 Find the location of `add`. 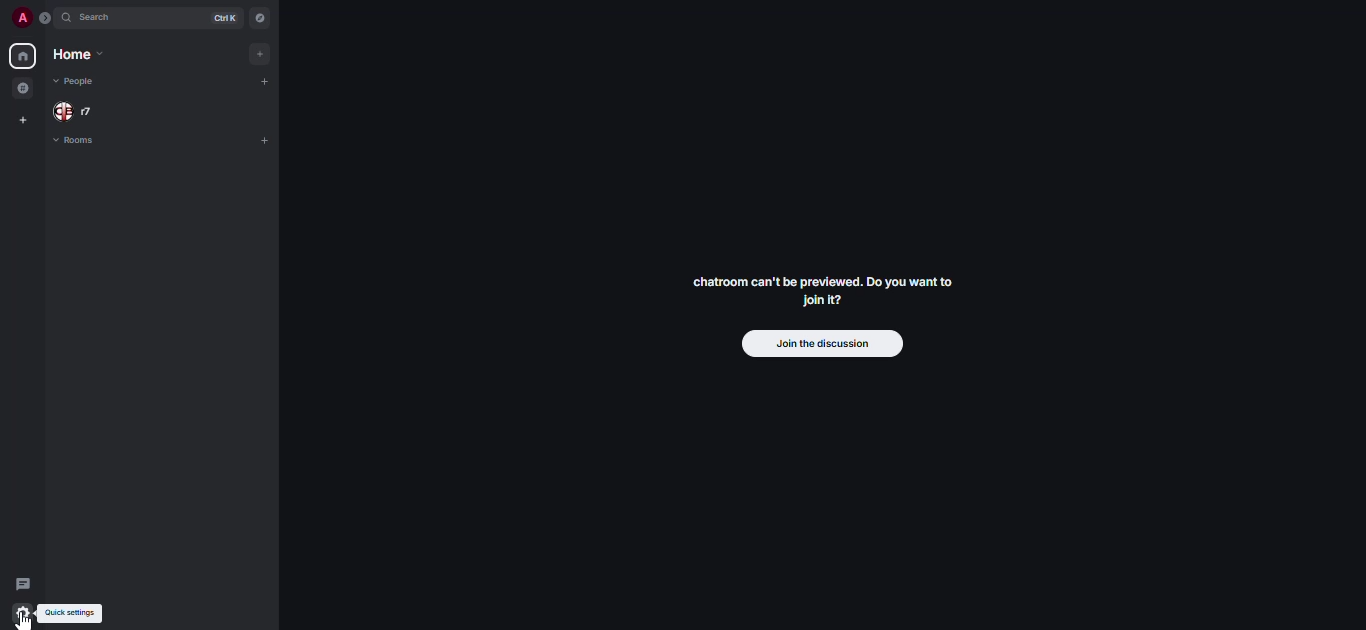

add is located at coordinates (268, 83).